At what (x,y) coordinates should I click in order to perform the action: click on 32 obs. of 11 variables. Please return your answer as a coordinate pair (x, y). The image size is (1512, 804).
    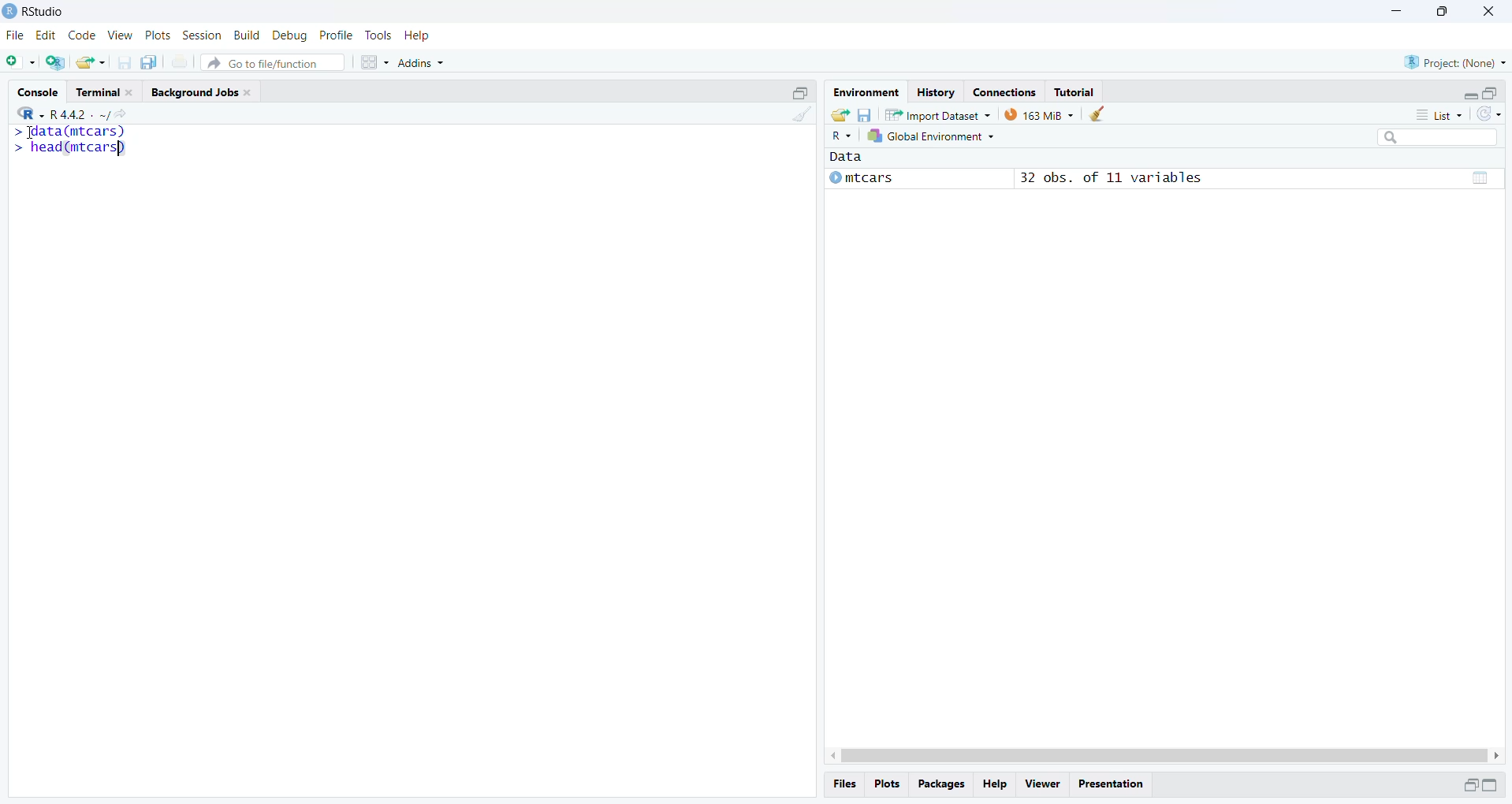
    Looking at the image, I should click on (1112, 178).